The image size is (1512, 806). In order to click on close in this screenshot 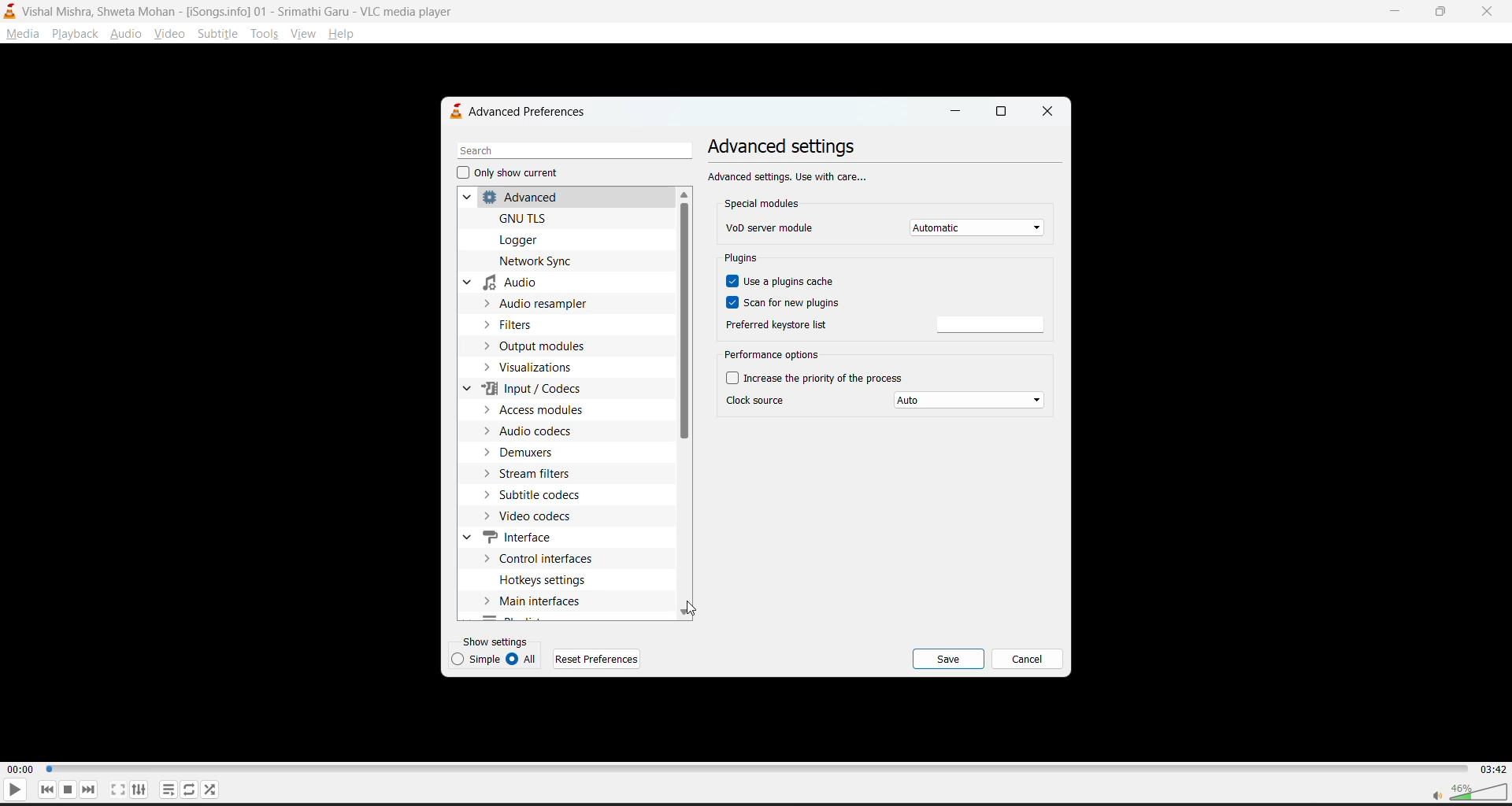, I will do `click(1048, 110)`.